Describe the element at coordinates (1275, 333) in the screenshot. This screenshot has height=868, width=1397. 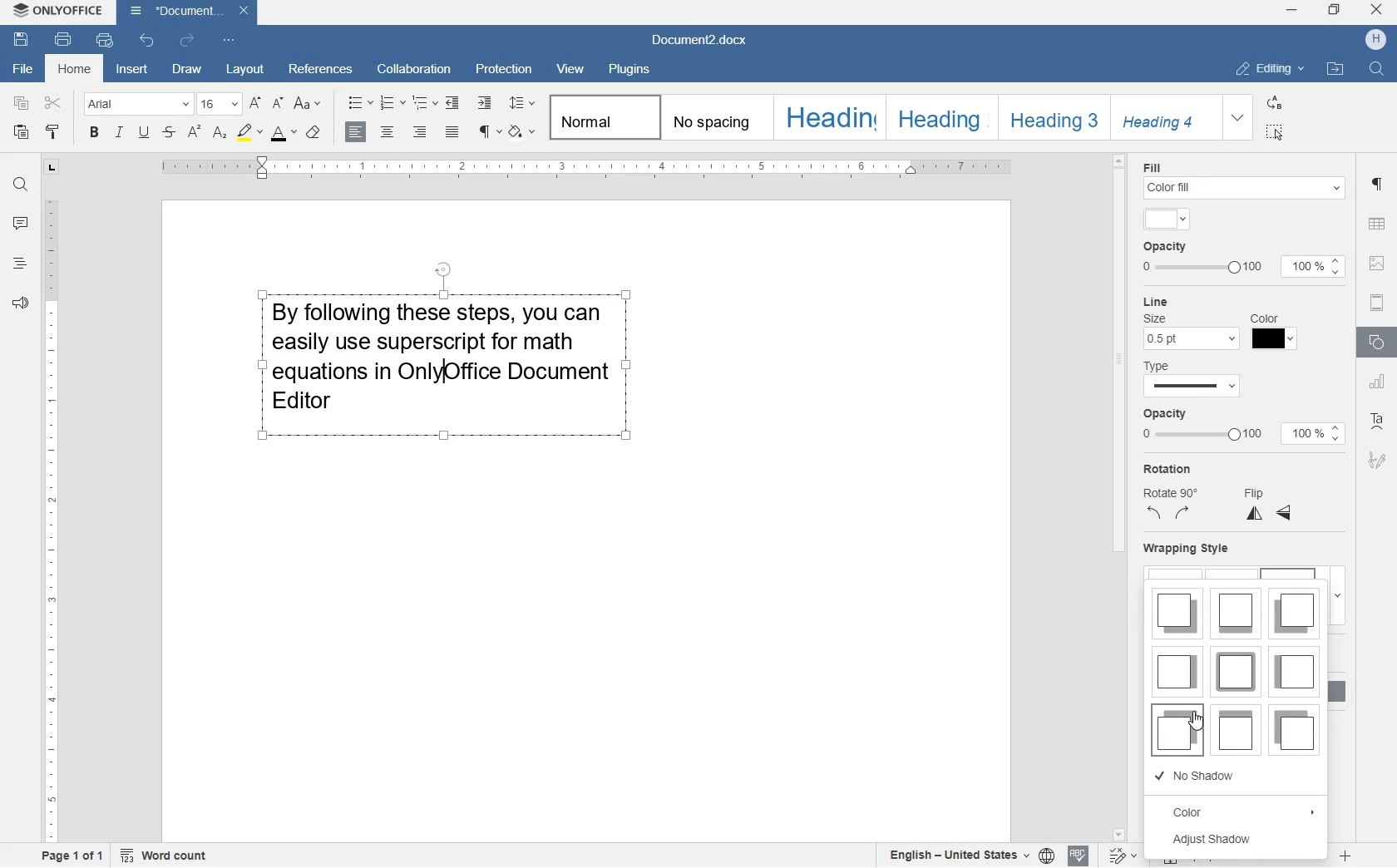
I see `Line color` at that location.